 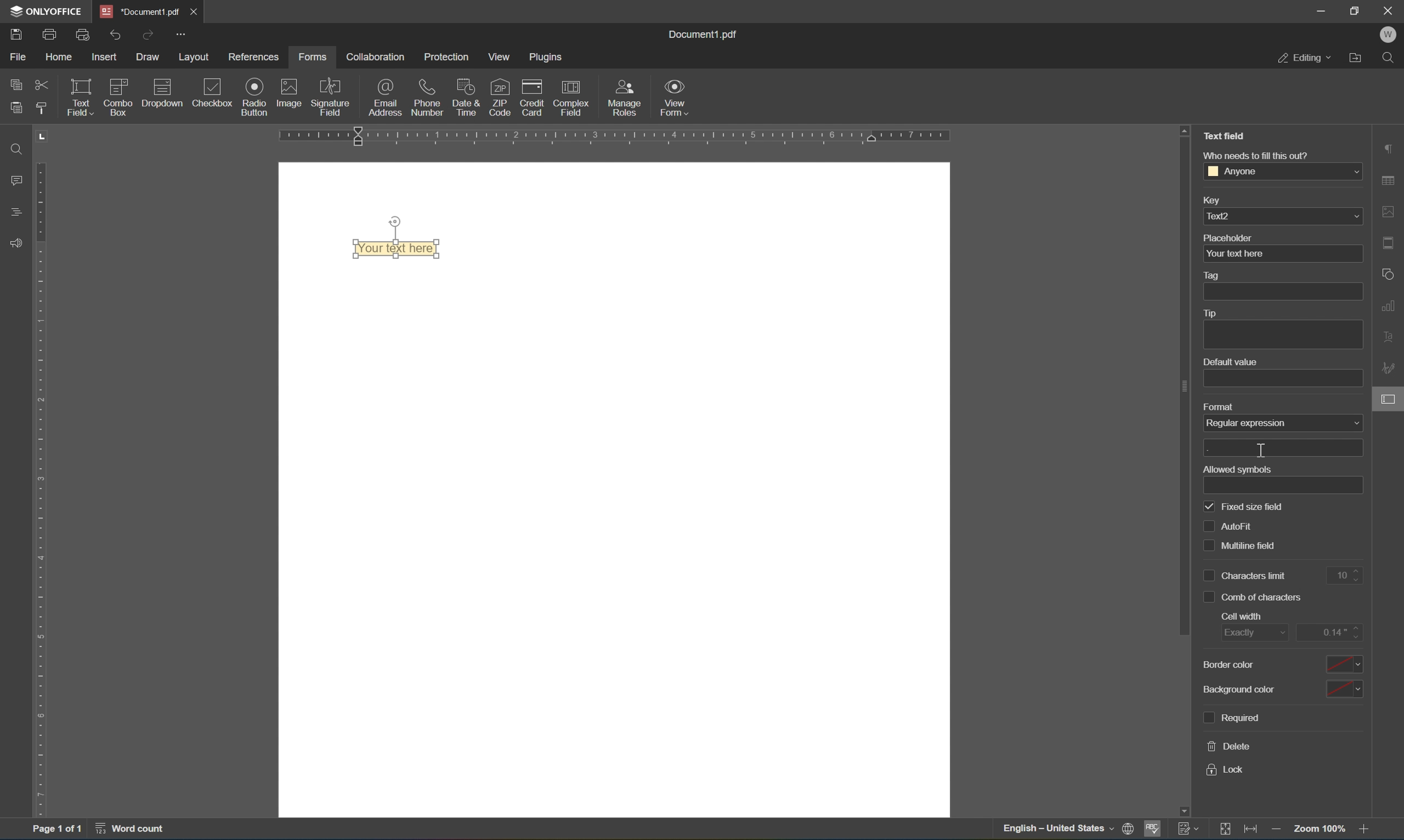 What do you see at coordinates (1216, 274) in the screenshot?
I see `tag` at bounding box center [1216, 274].